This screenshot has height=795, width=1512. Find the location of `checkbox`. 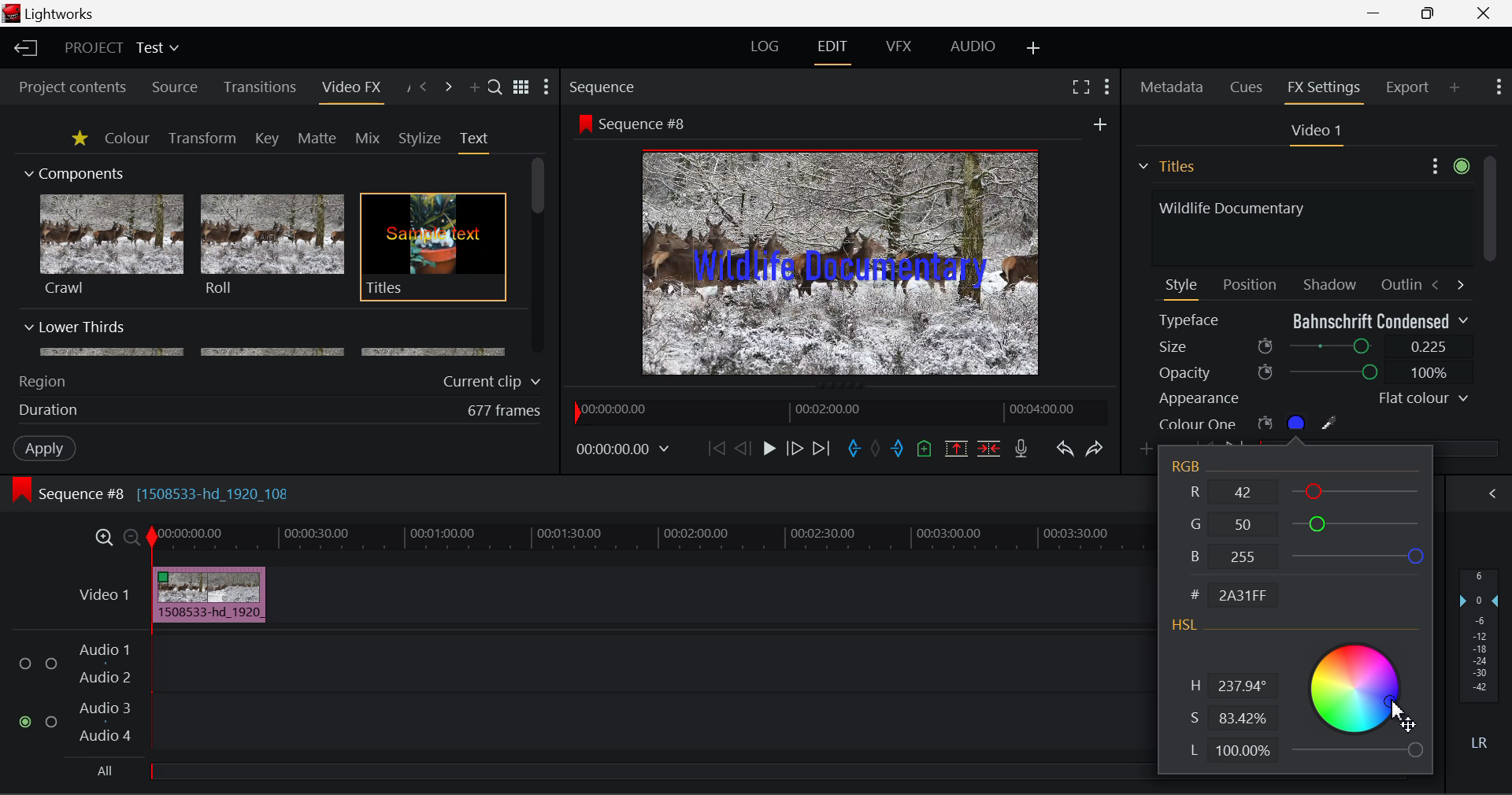

checkbox is located at coordinates (52, 665).